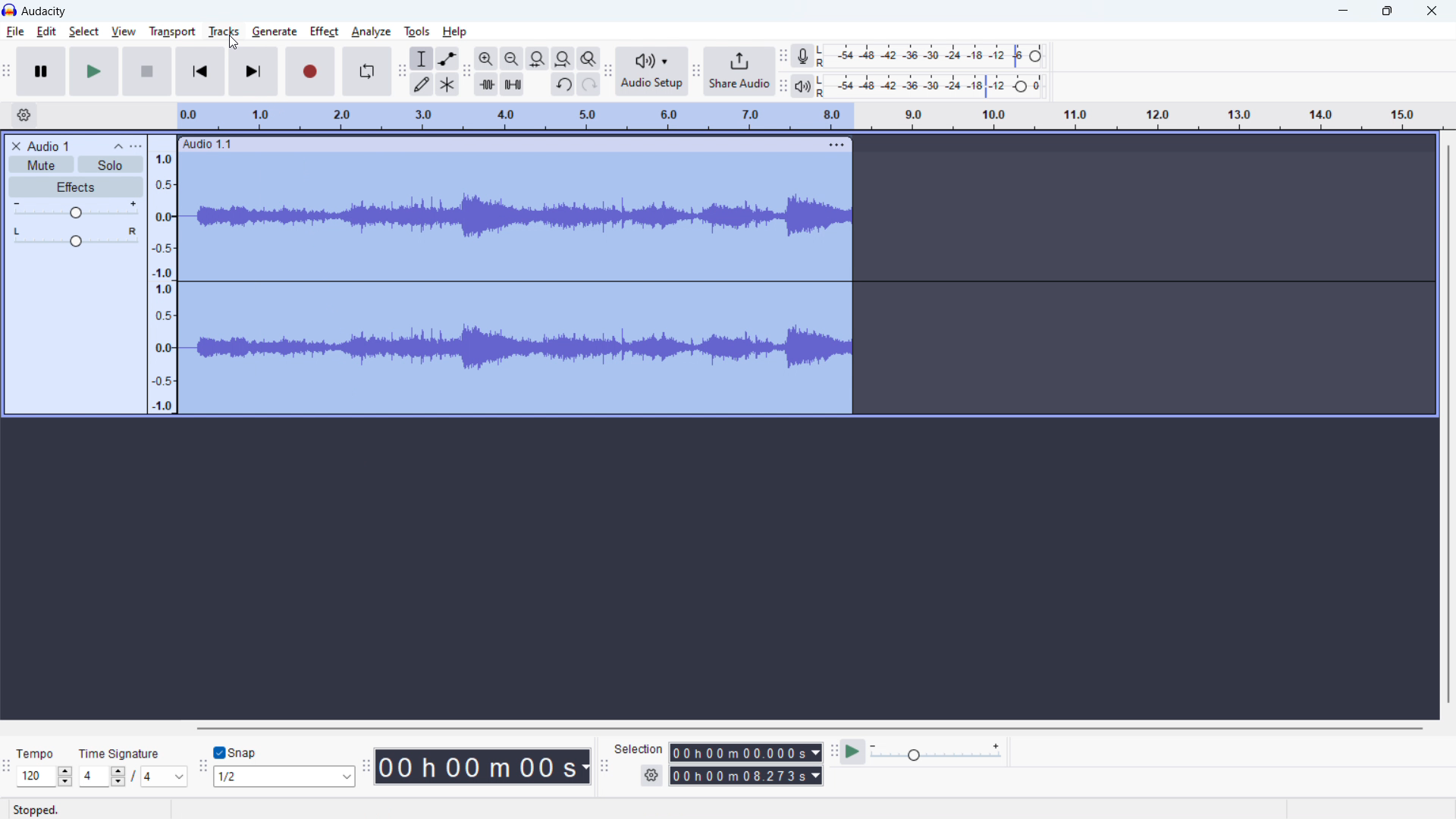 This screenshot has width=1456, height=819. I want to click on transport toolbar, so click(7, 72).